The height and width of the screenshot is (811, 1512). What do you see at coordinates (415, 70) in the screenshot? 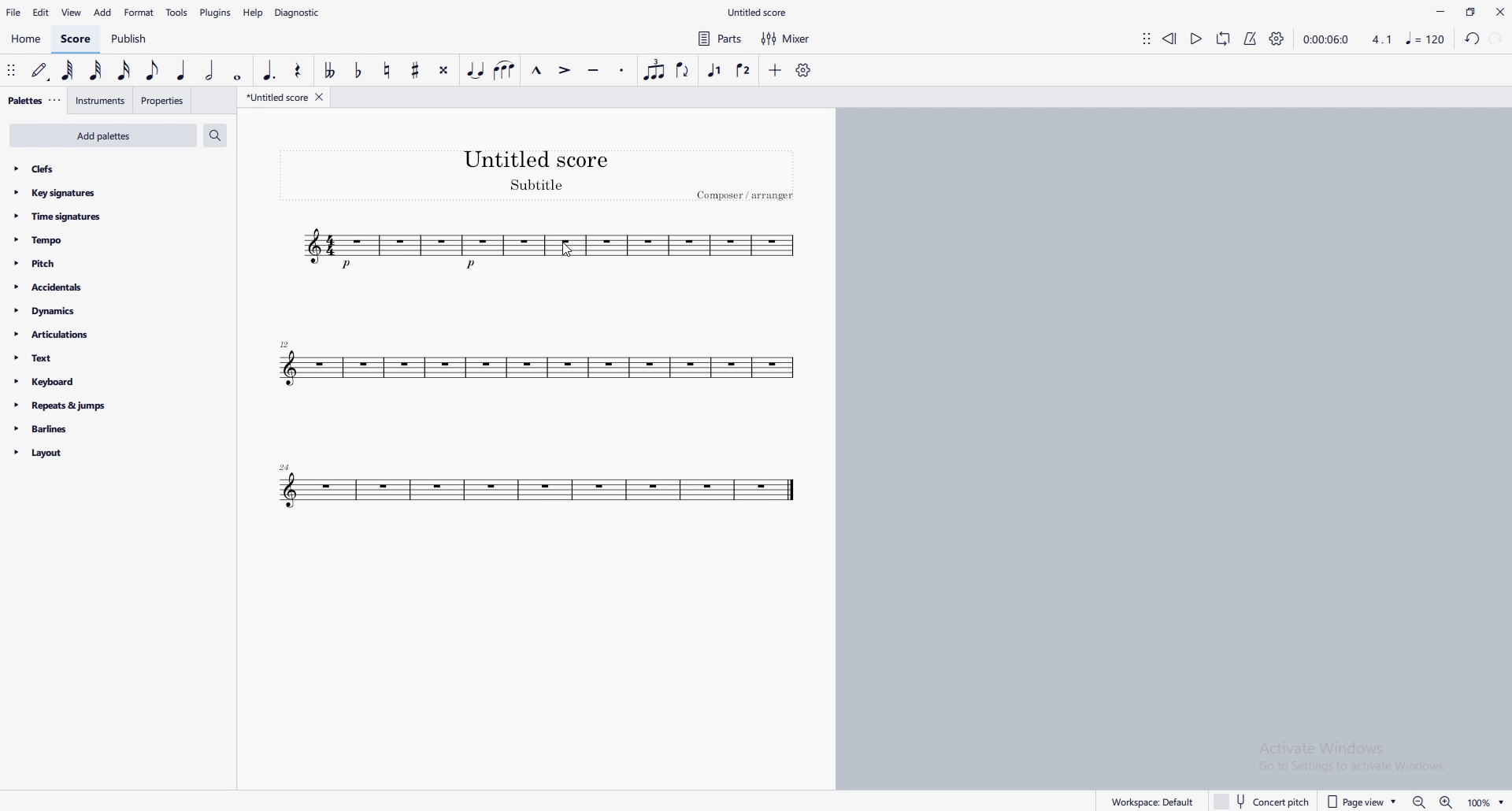
I see `toggle sharp` at bounding box center [415, 70].